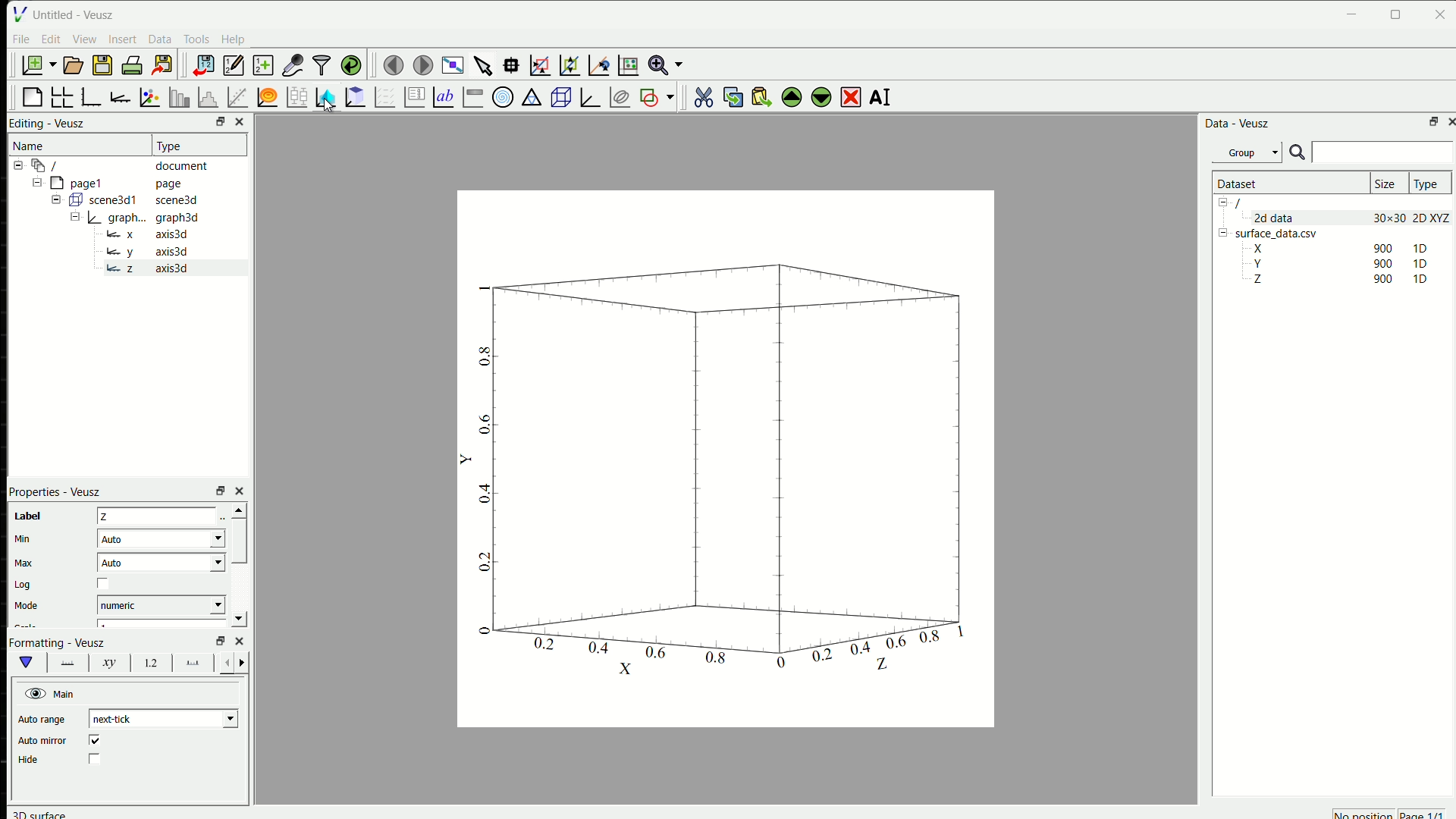 This screenshot has height=819, width=1456. What do you see at coordinates (44, 741) in the screenshot?
I see `Auto mirror` at bounding box center [44, 741].